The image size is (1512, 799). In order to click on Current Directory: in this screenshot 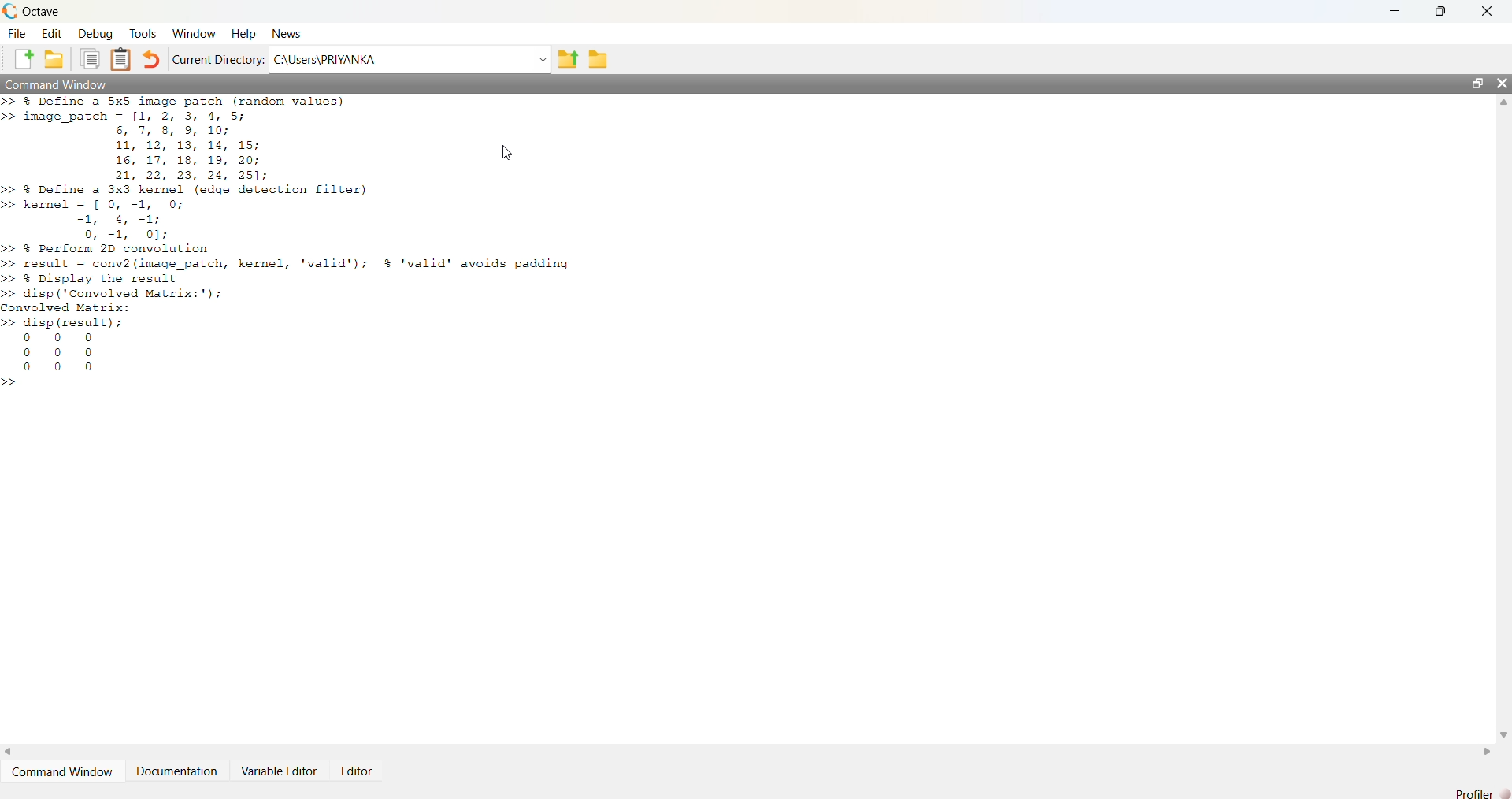, I will do `click(217, 59)`.